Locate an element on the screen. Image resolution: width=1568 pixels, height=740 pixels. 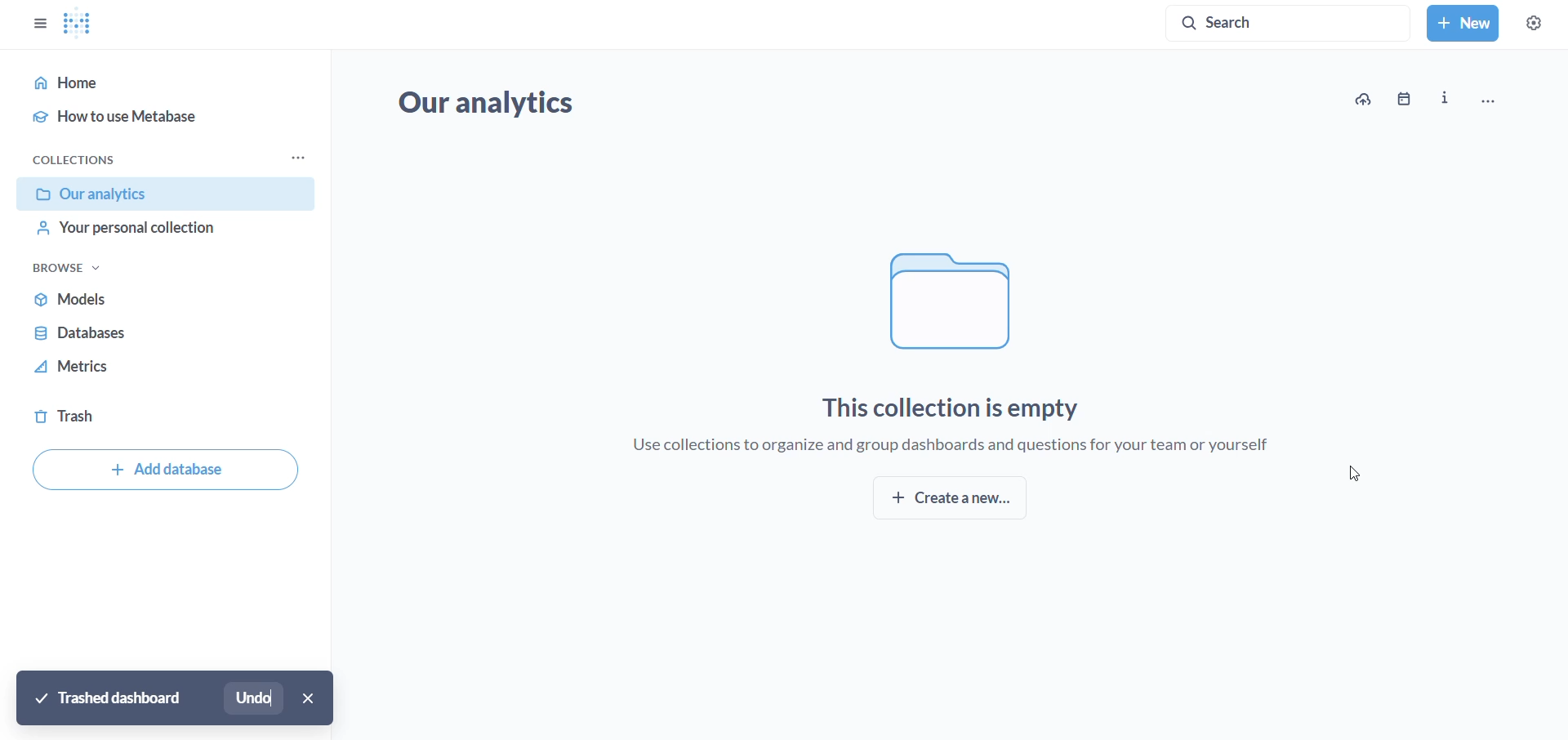
our analytics is located at coordinates (168, 195).